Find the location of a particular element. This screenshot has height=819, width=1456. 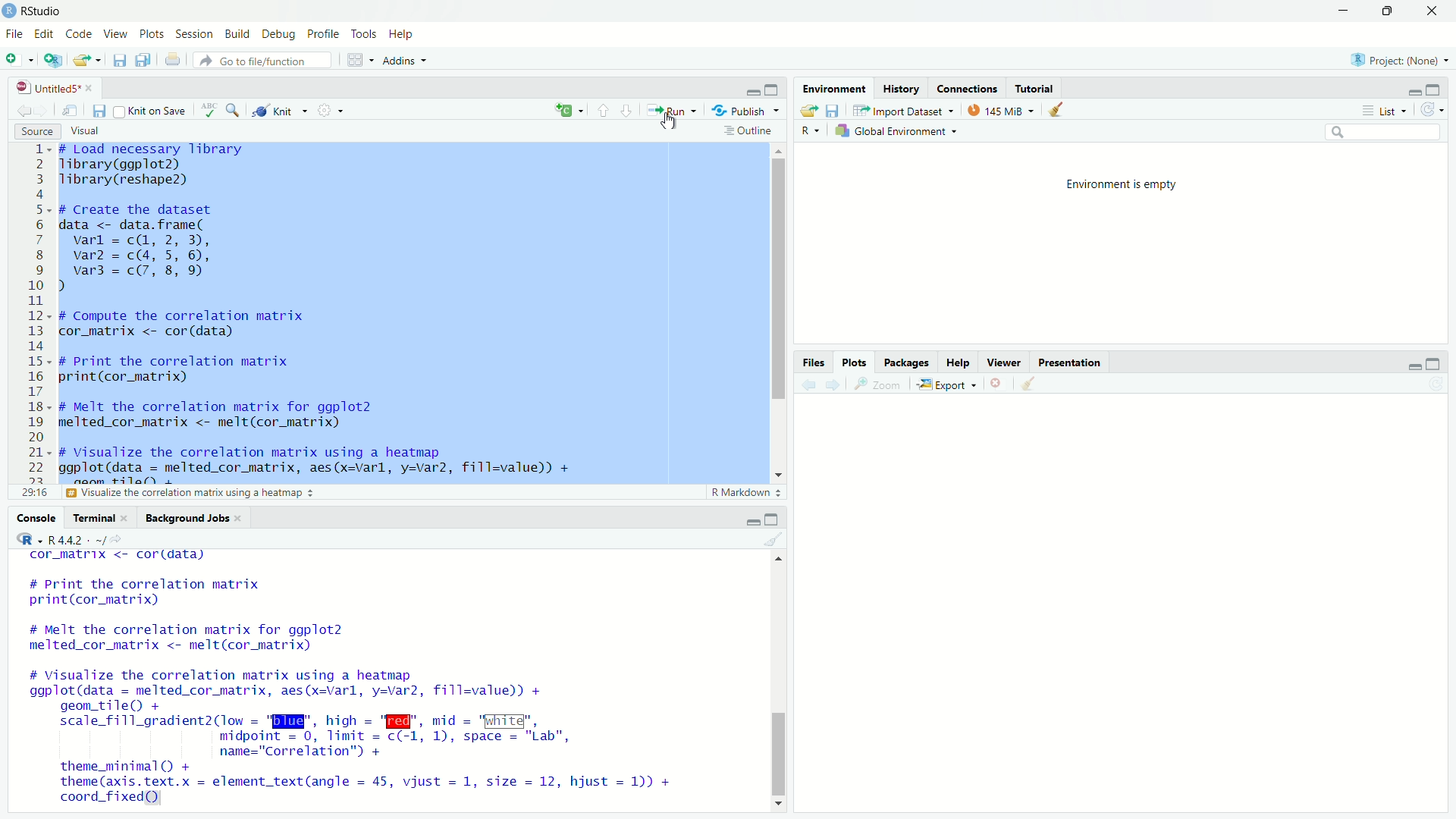

viewer is located at coordinates (1003, 362).